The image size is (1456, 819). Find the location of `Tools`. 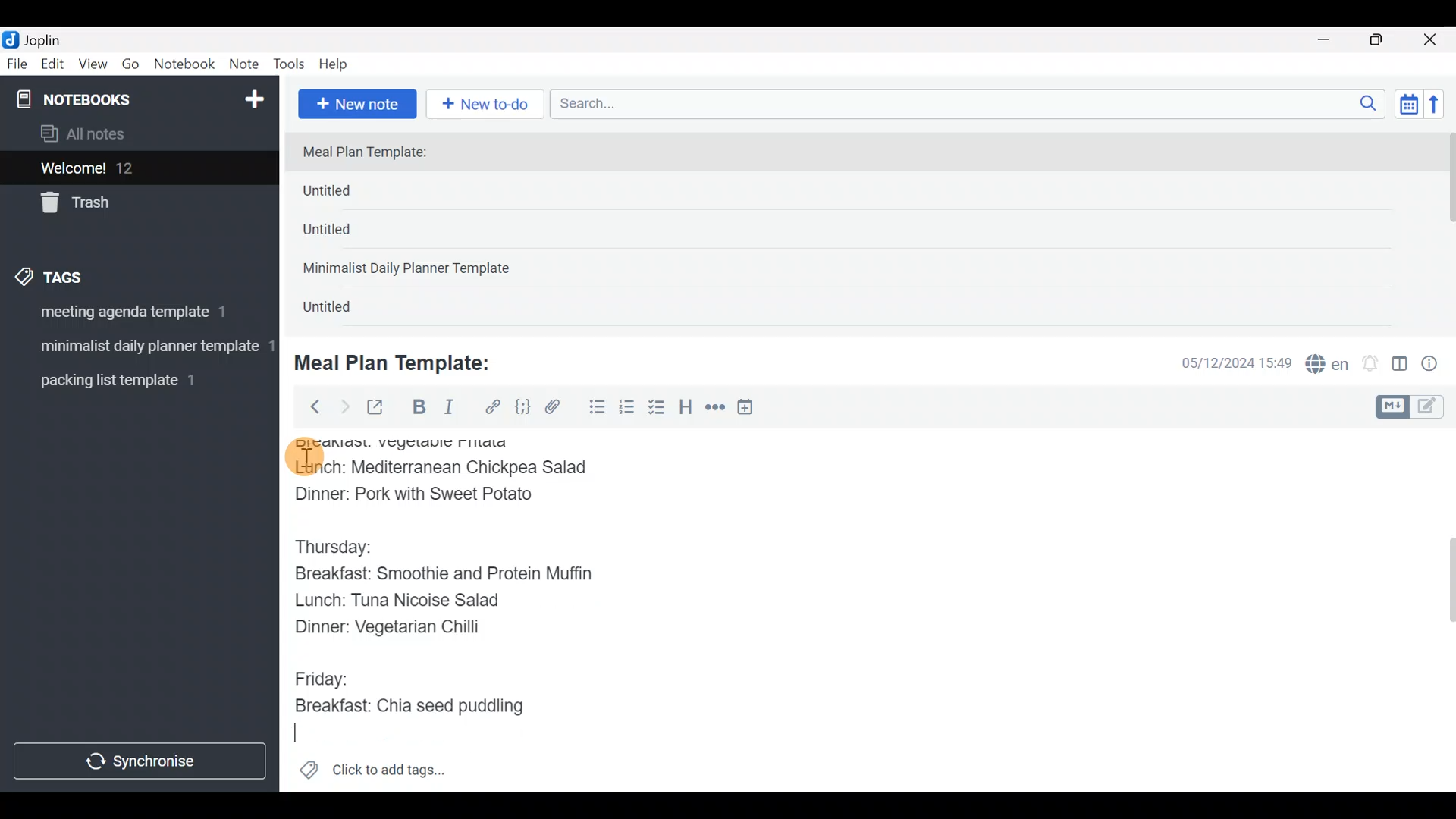

Tools is located at coordinates (290, 65).